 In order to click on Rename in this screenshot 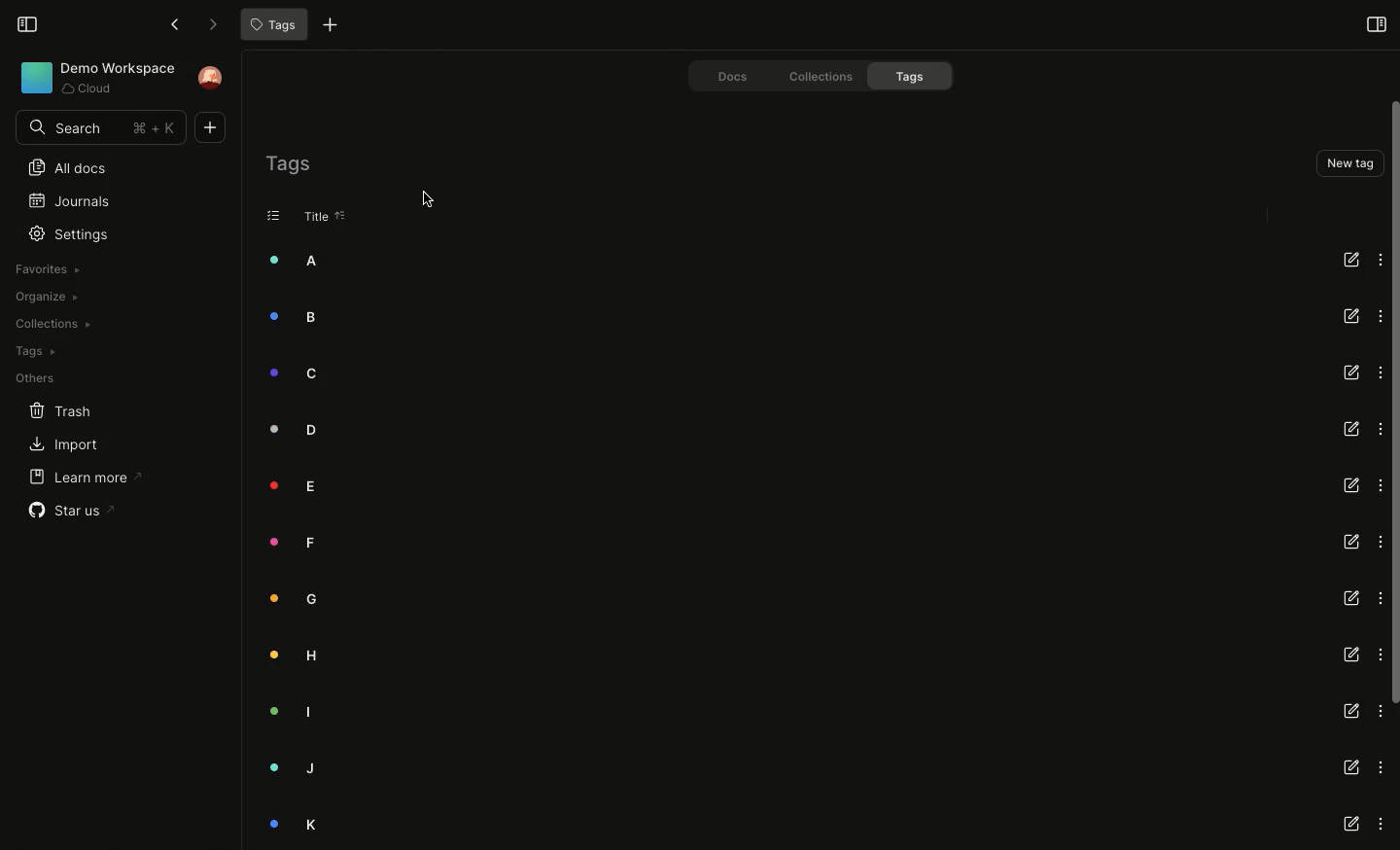, I will do `click(1350, 258)`.